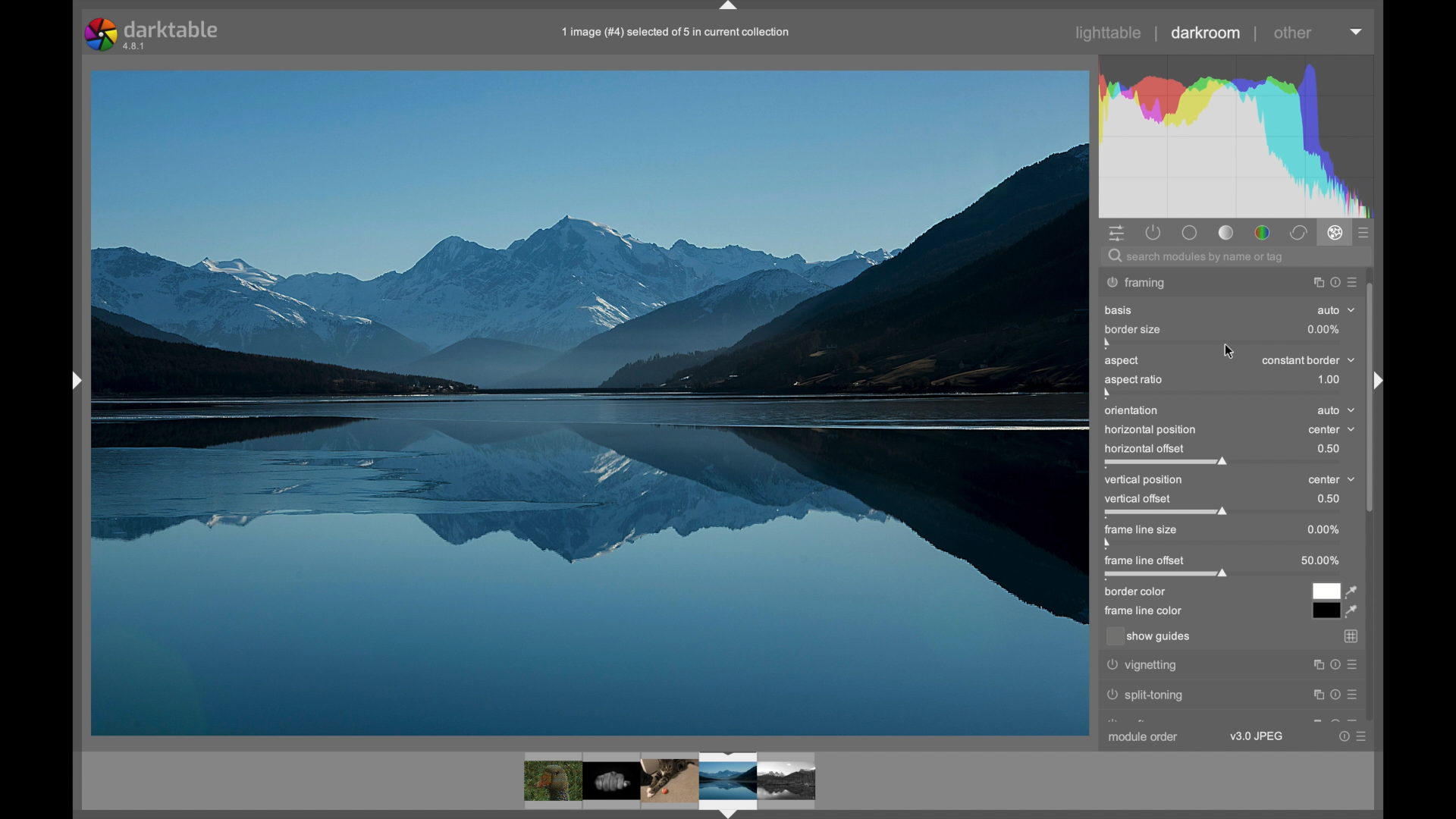 The width and height of the screenshot is (1456, 819). I want to click on darkroom, so click(1207, 33).